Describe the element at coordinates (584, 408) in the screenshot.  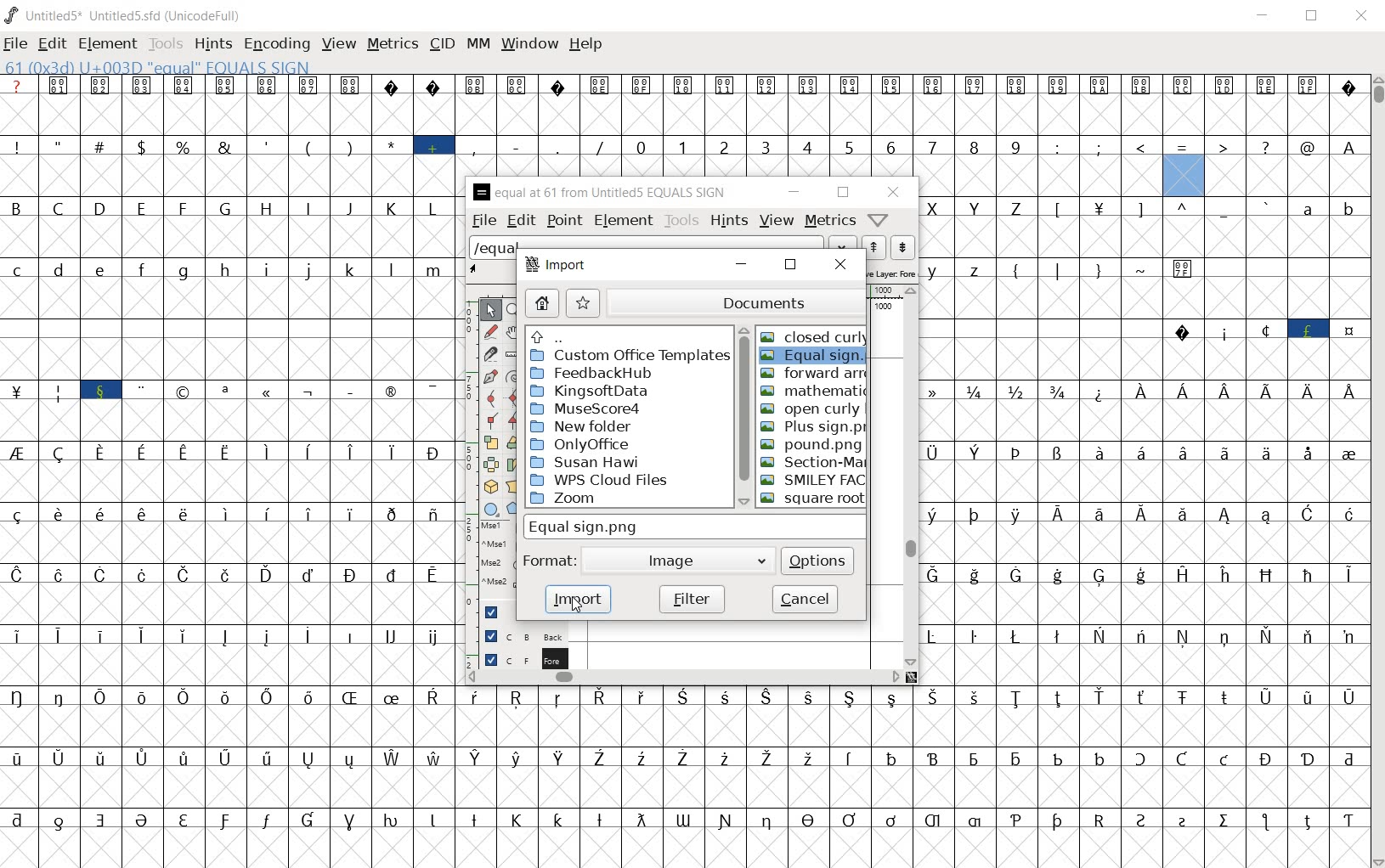
I see `MuseScore4` at that location.